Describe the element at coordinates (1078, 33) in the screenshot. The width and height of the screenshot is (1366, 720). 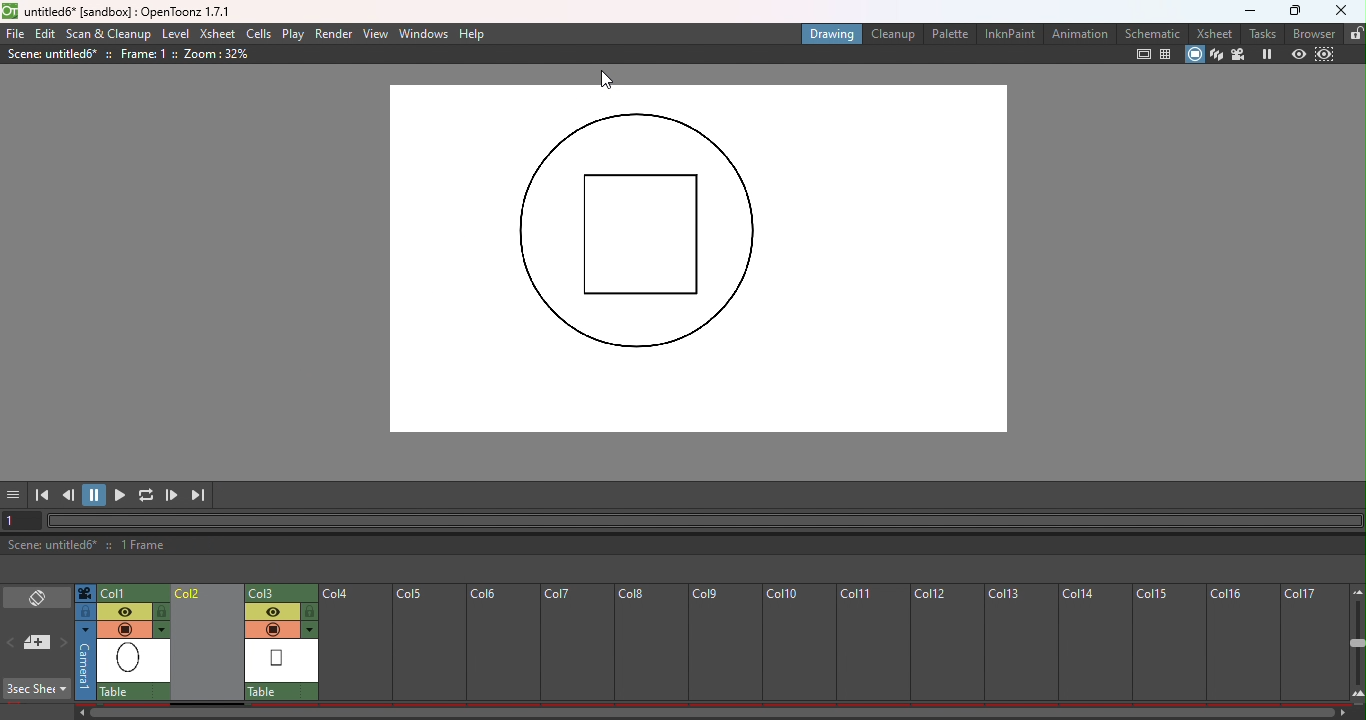
I see `Animation` at that location.